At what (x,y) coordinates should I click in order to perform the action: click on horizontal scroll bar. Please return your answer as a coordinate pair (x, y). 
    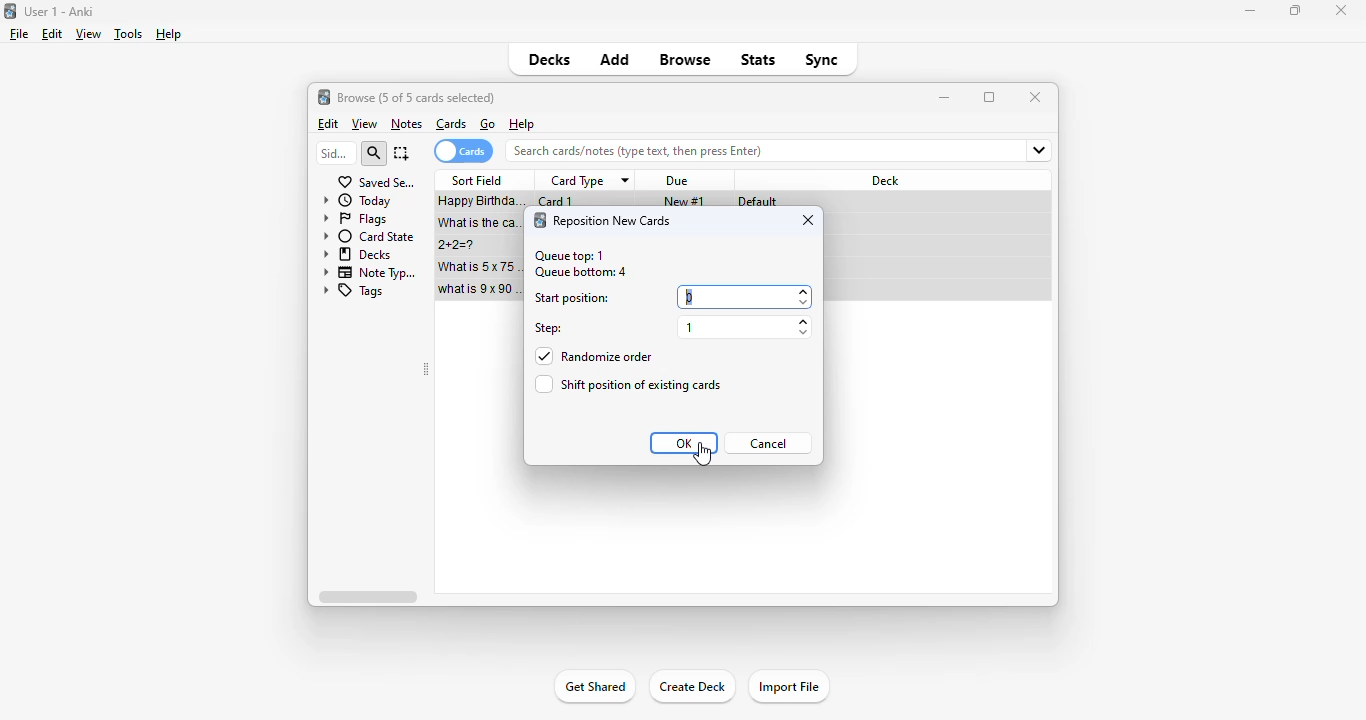
    Looking at the image, I should click on (367, 596).